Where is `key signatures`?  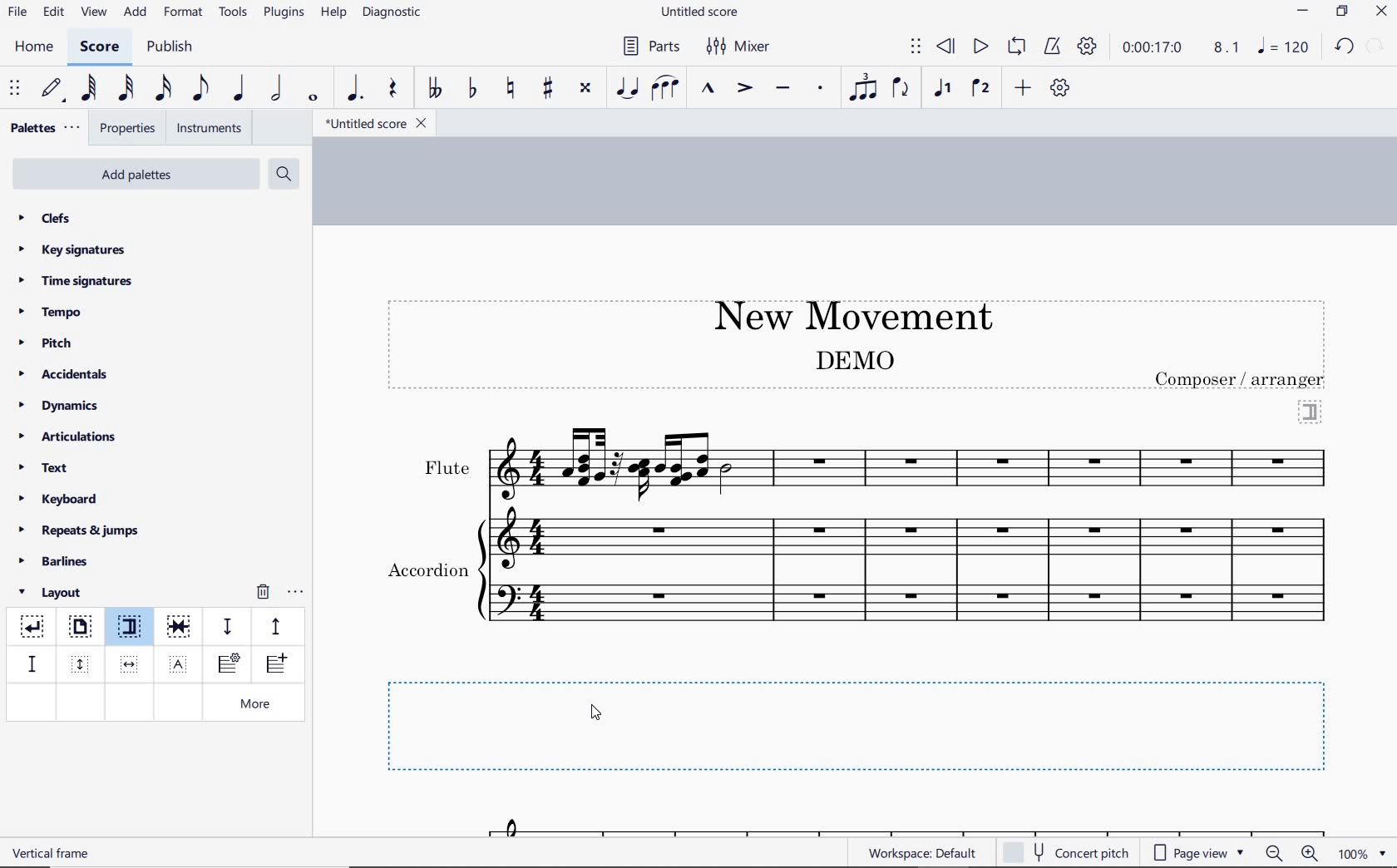 key signatures is located at coordinates (71, 249).